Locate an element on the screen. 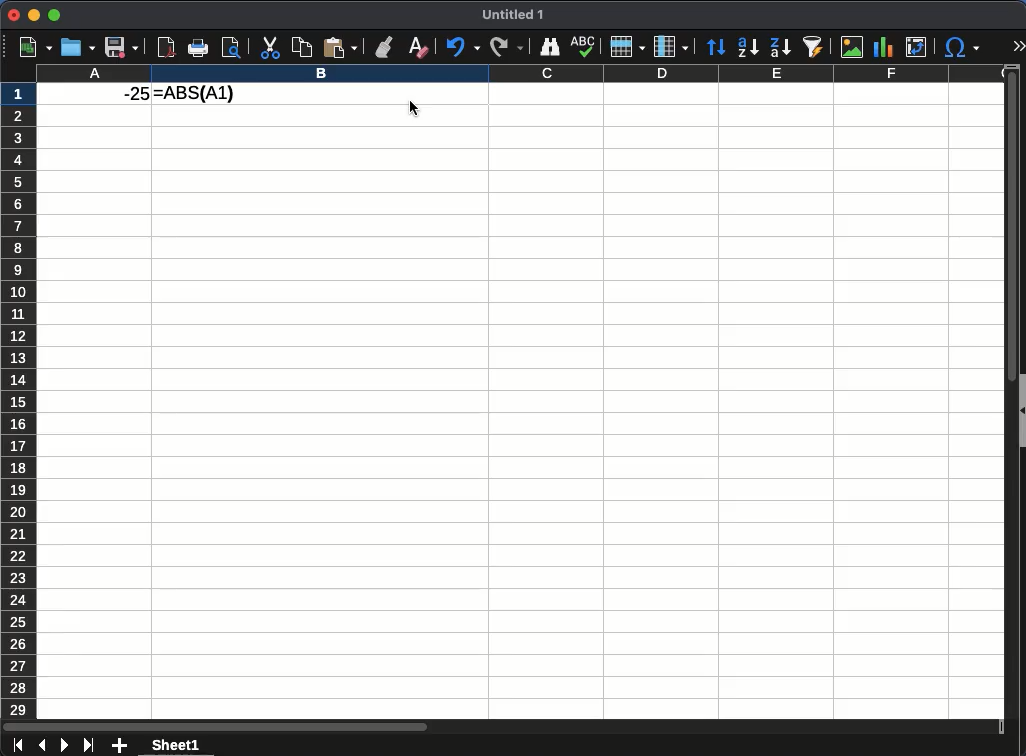 This screenshot has height=756, width=1026. new is located at coordinates (31, 47).